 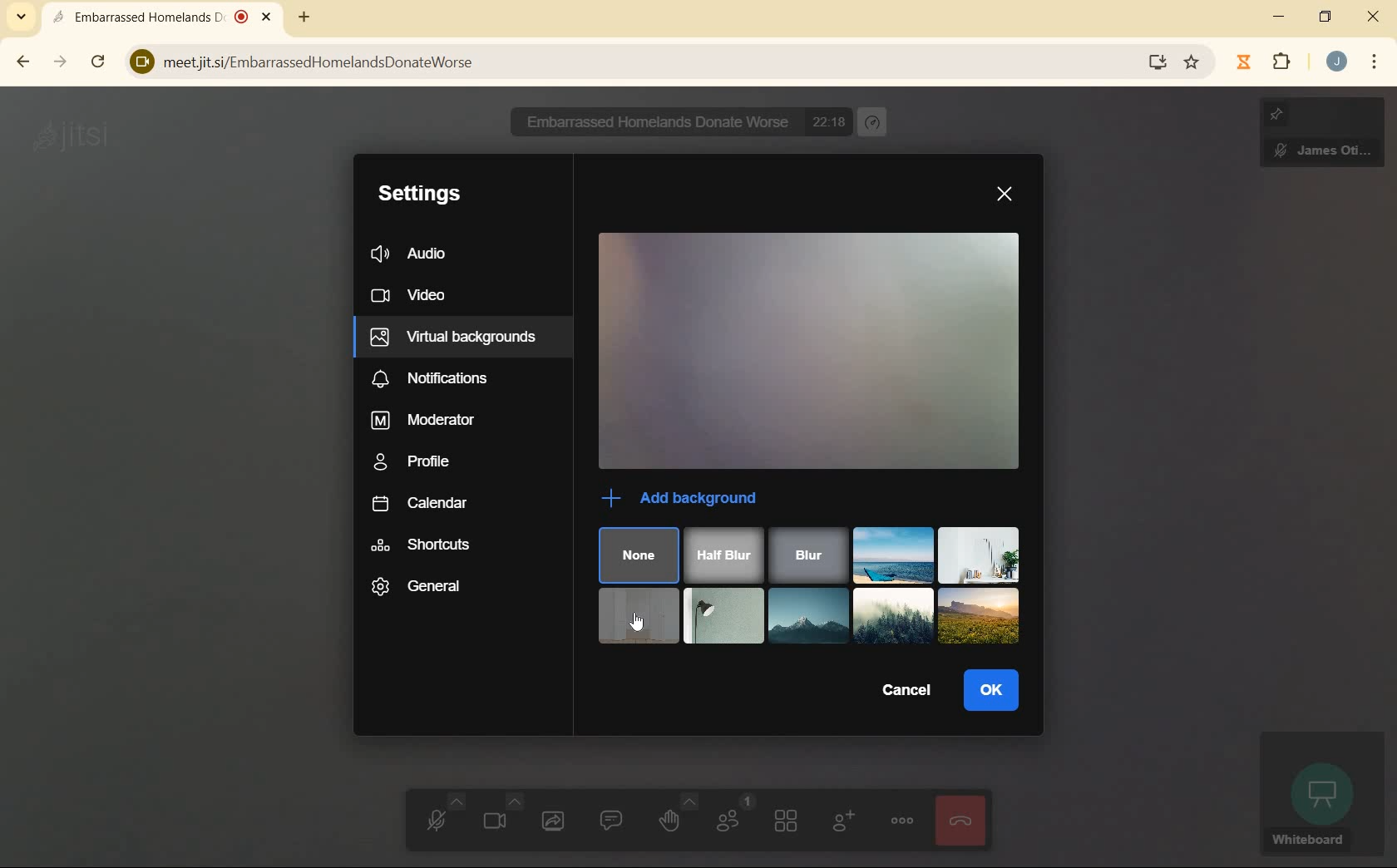 What do you see at coordinates (160, 16) in the screenshot?
I see `Embarrassed Homelands` at bounding box center [160, 16].